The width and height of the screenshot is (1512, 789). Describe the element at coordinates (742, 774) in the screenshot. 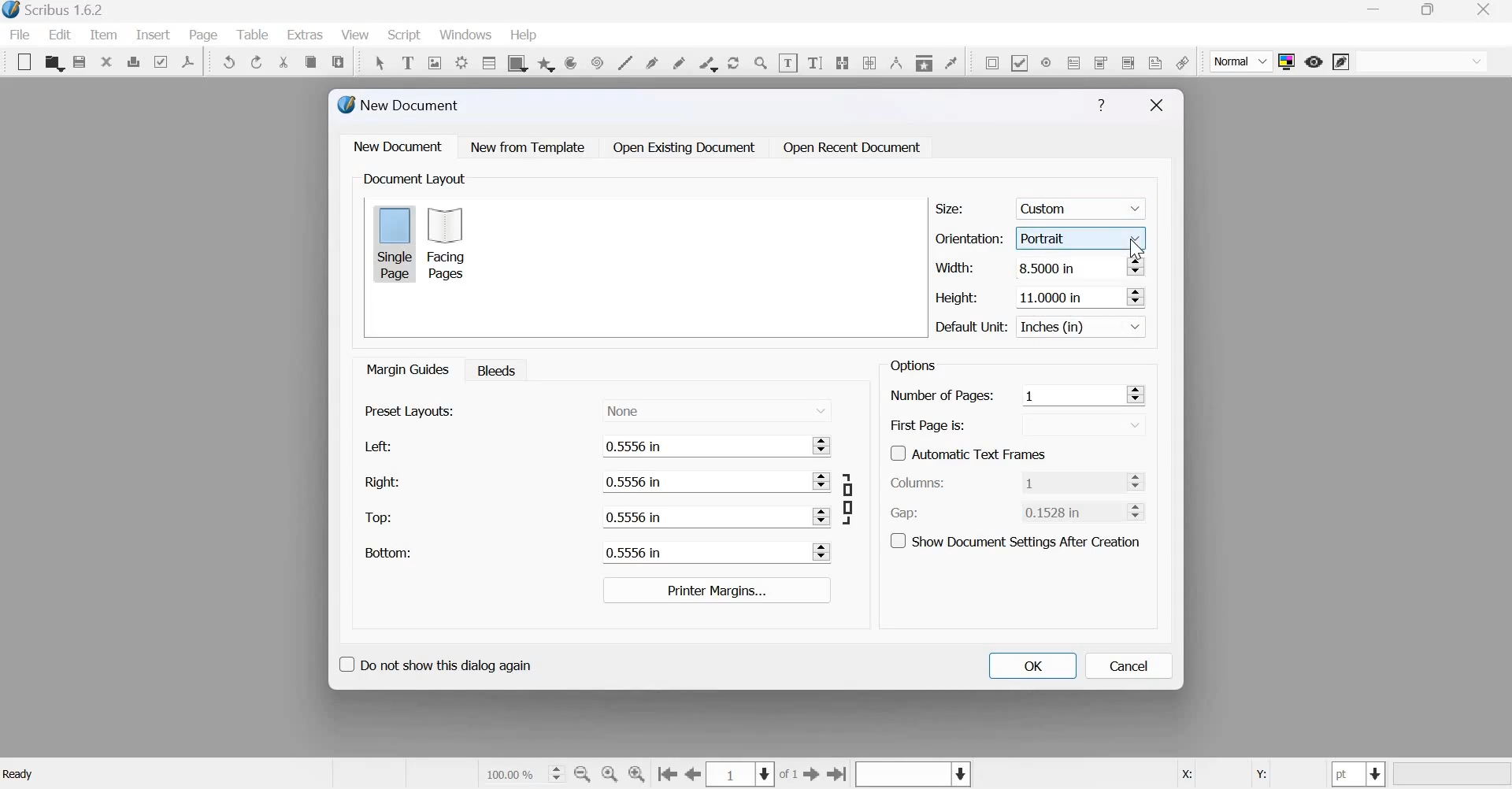

I see `Select the current page` at that location.